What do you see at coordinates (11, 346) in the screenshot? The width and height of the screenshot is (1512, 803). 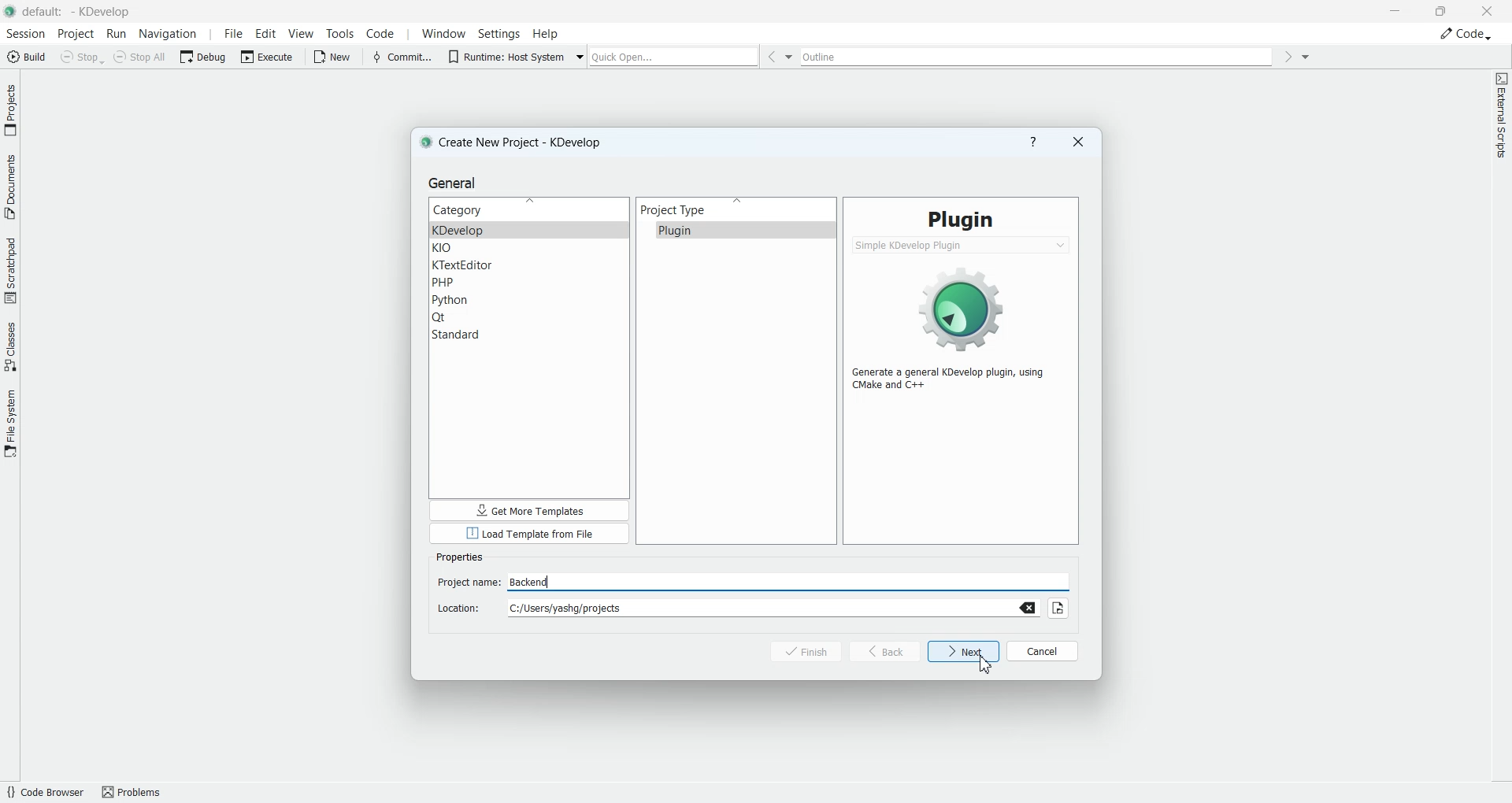 I see `Classes` at bounding box center [11, 346].